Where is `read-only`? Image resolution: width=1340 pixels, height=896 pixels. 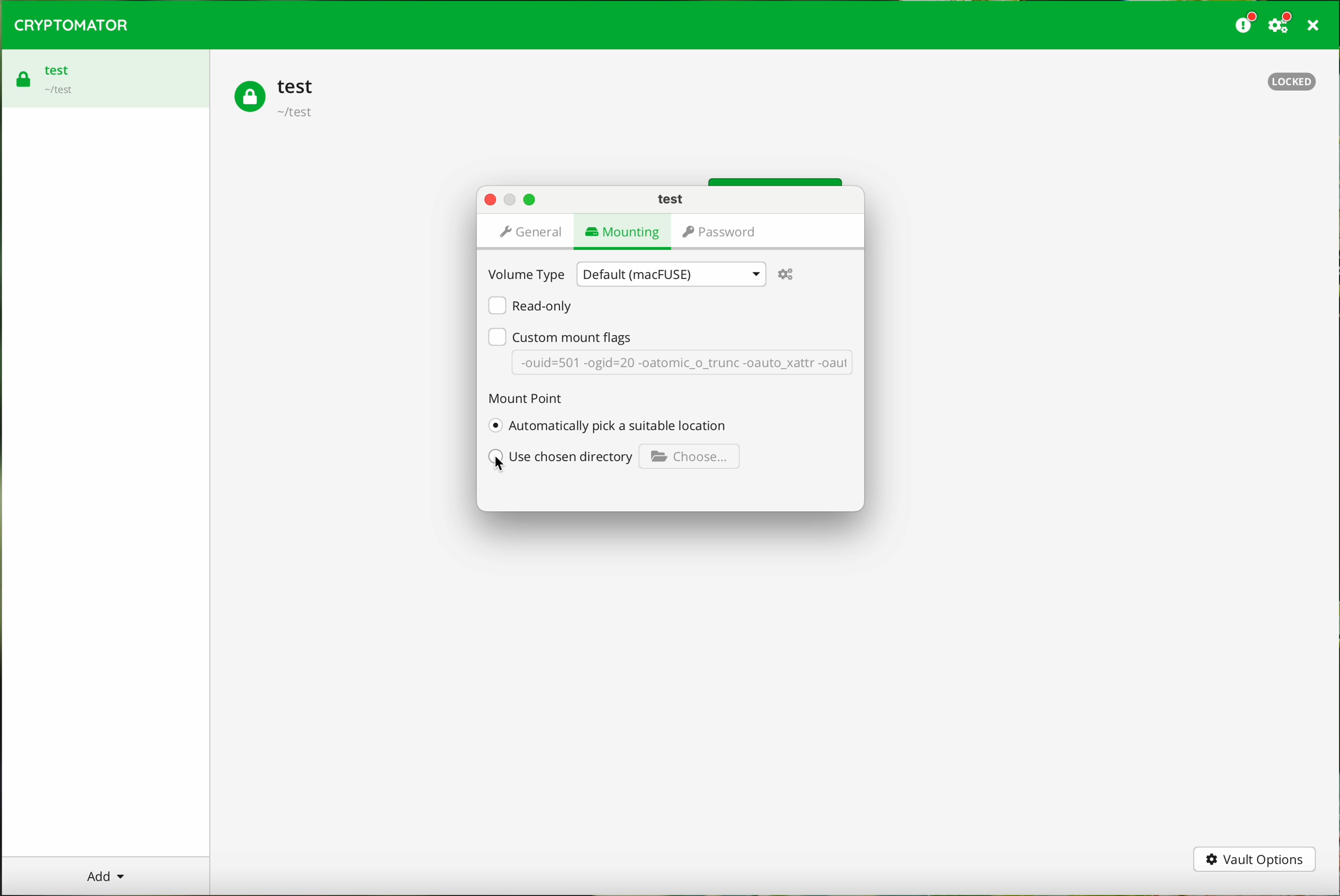 read-only is located at coordinates (531, 306).